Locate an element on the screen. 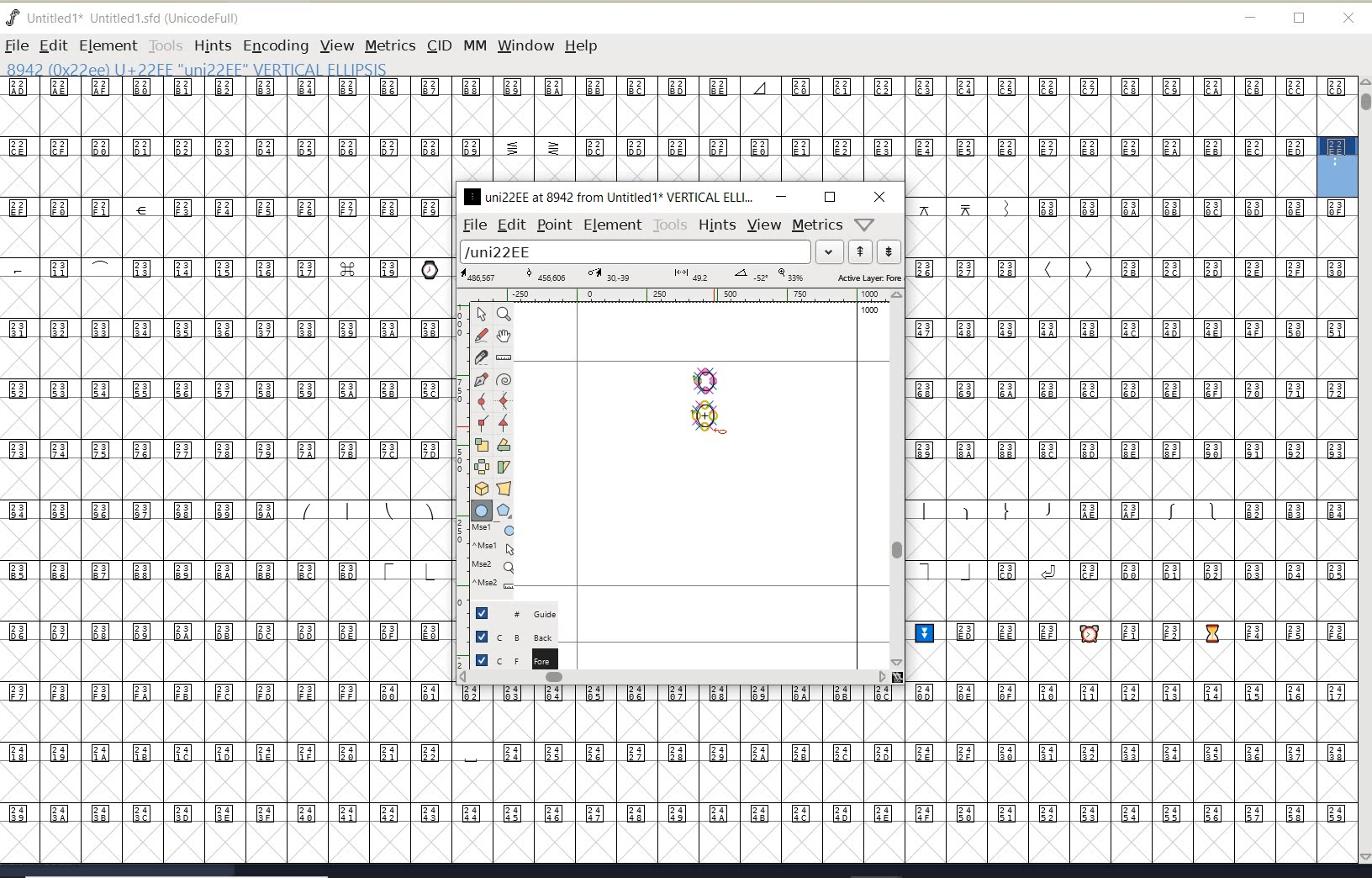 The height and width of the screenshot is (878, 1372). a vertical ellipsis creation is located at coordinates (710, 415).